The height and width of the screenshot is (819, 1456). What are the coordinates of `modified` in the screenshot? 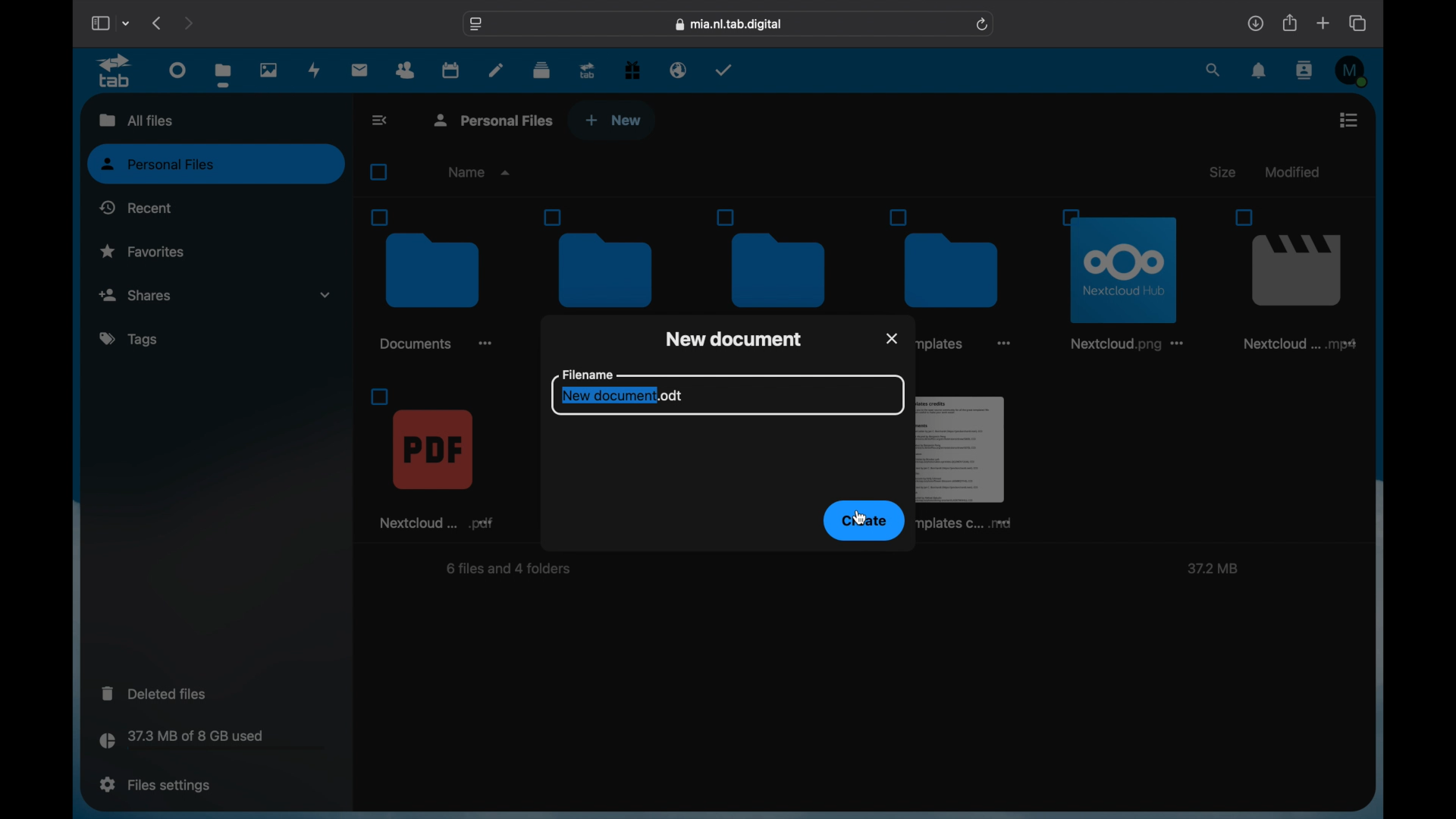 It's located at (1291, 171).